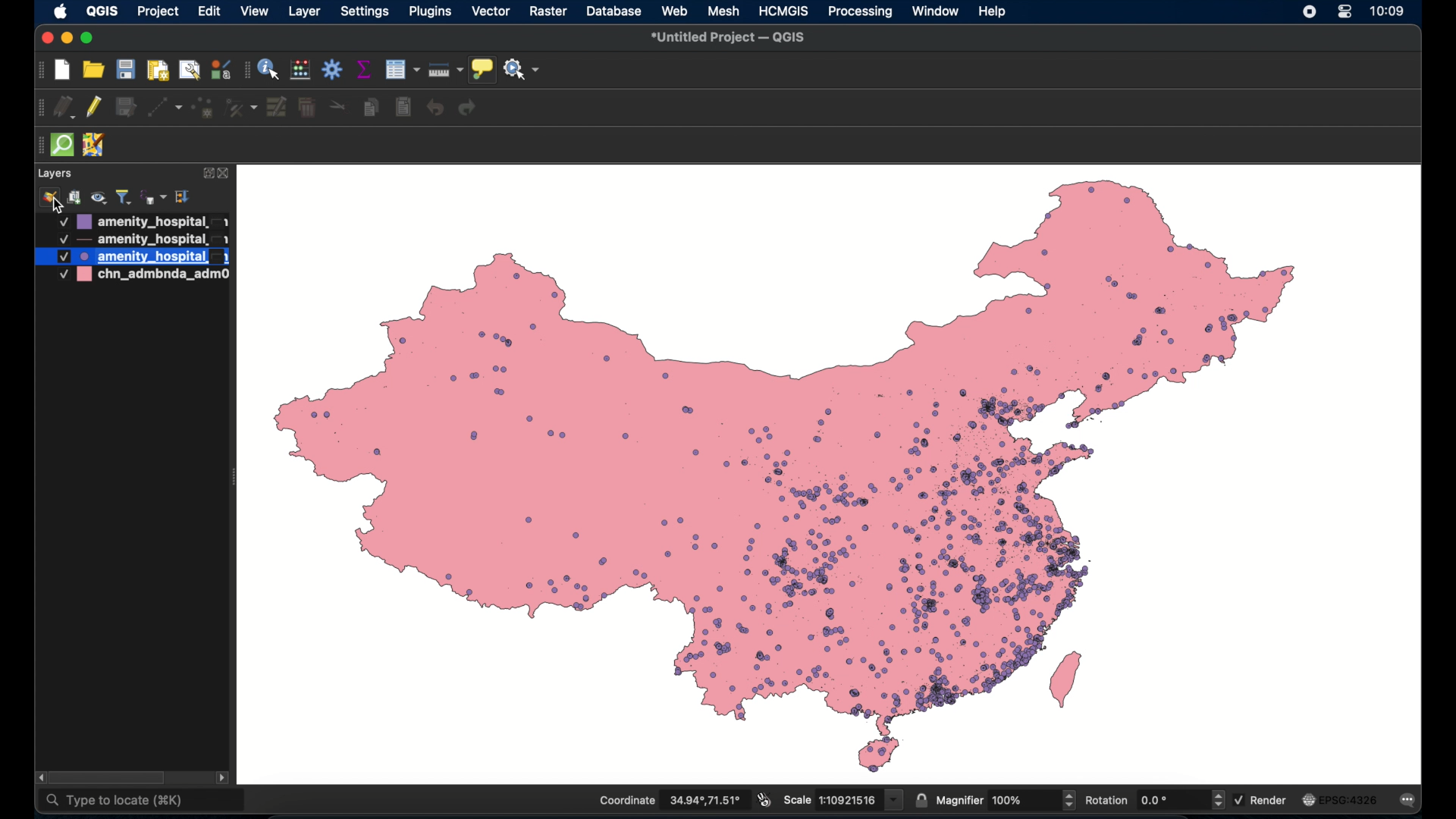 The image size is (1456, 819). What do you see at coordinates (205, 108) in the screenshot?
I see `add point feature` at bounding box center [205, 108].